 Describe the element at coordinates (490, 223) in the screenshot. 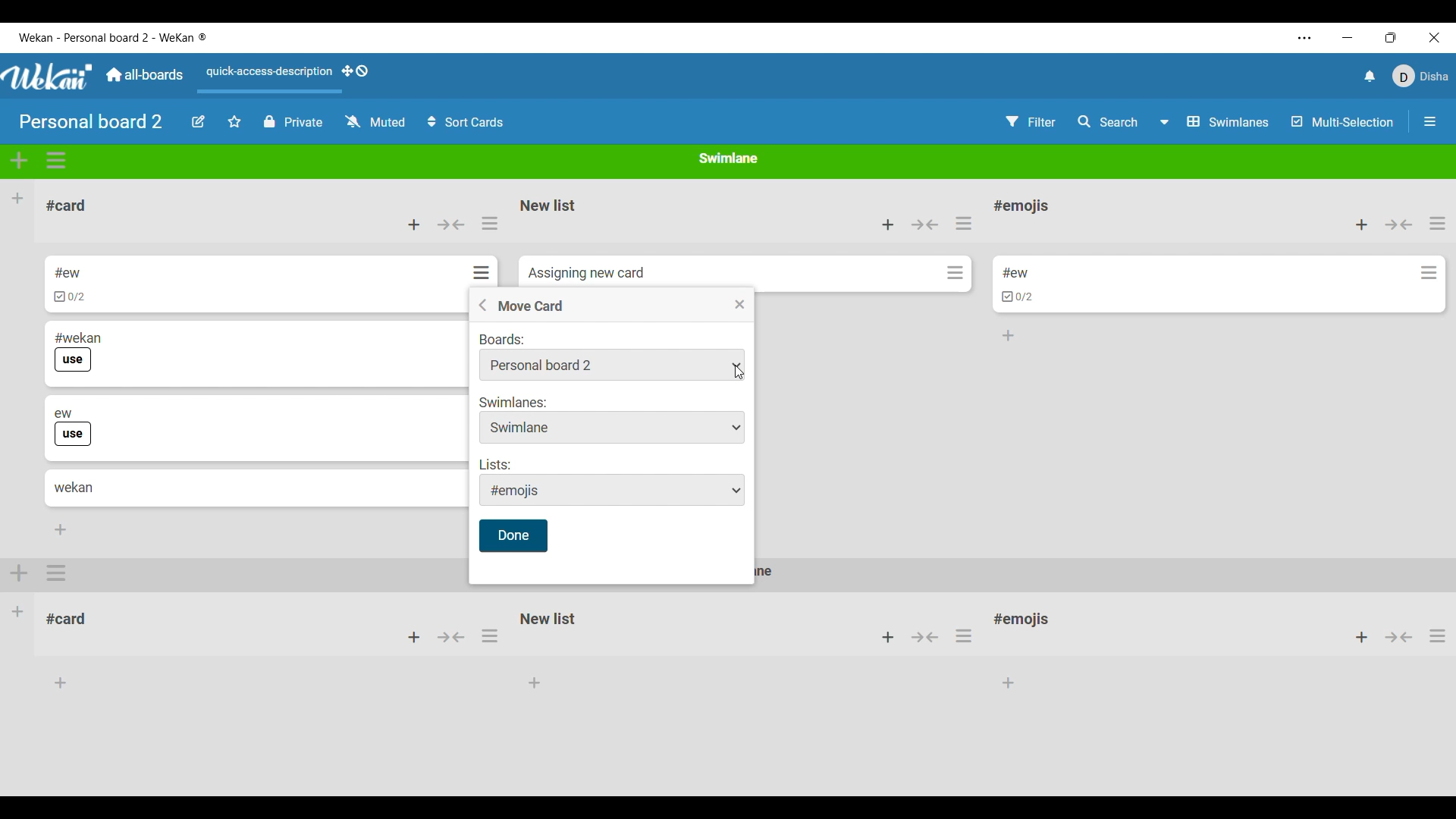

I see `List actions` at that location.